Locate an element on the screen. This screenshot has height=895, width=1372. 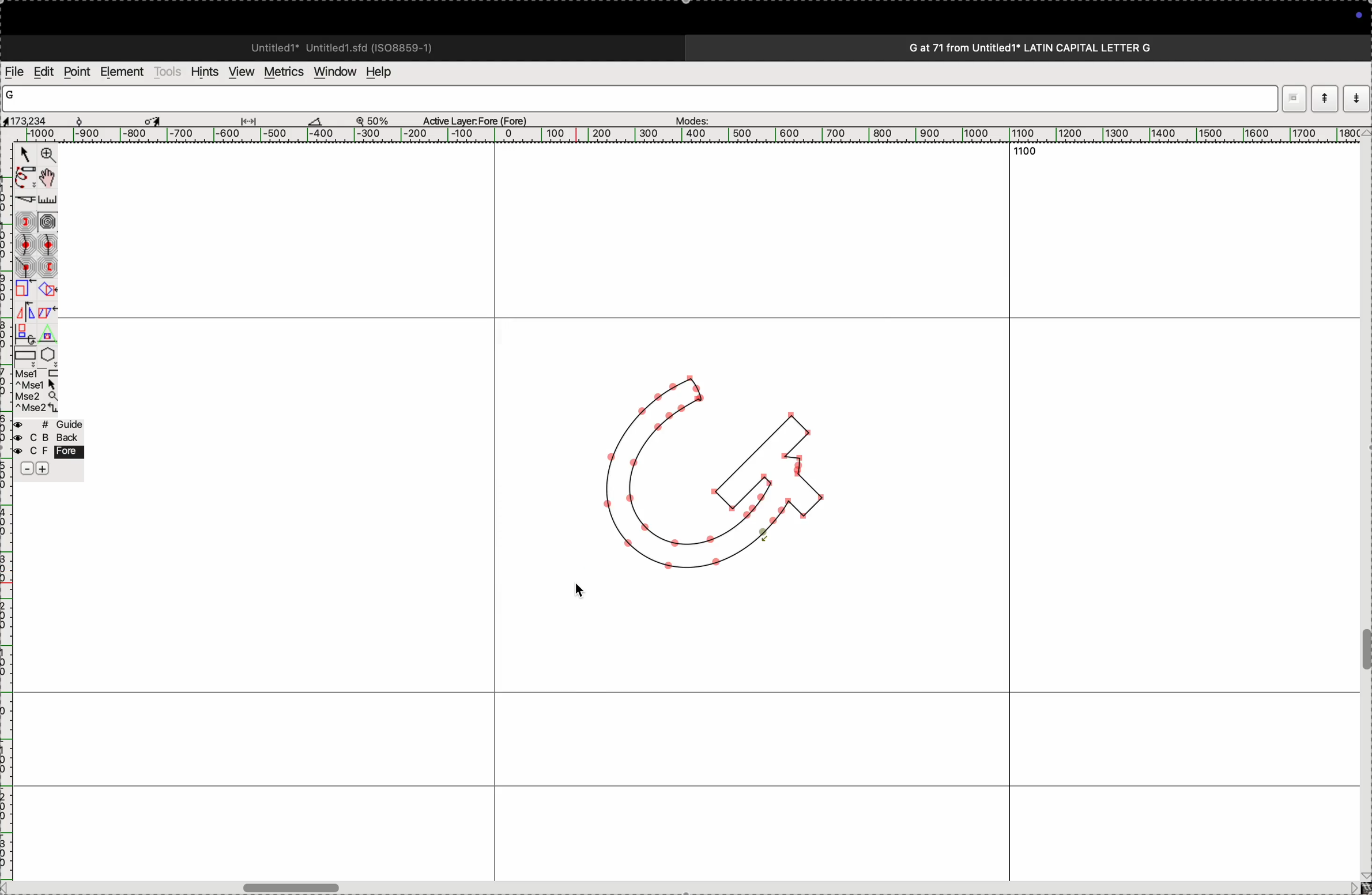
tools is located at coordinates (169, 74).